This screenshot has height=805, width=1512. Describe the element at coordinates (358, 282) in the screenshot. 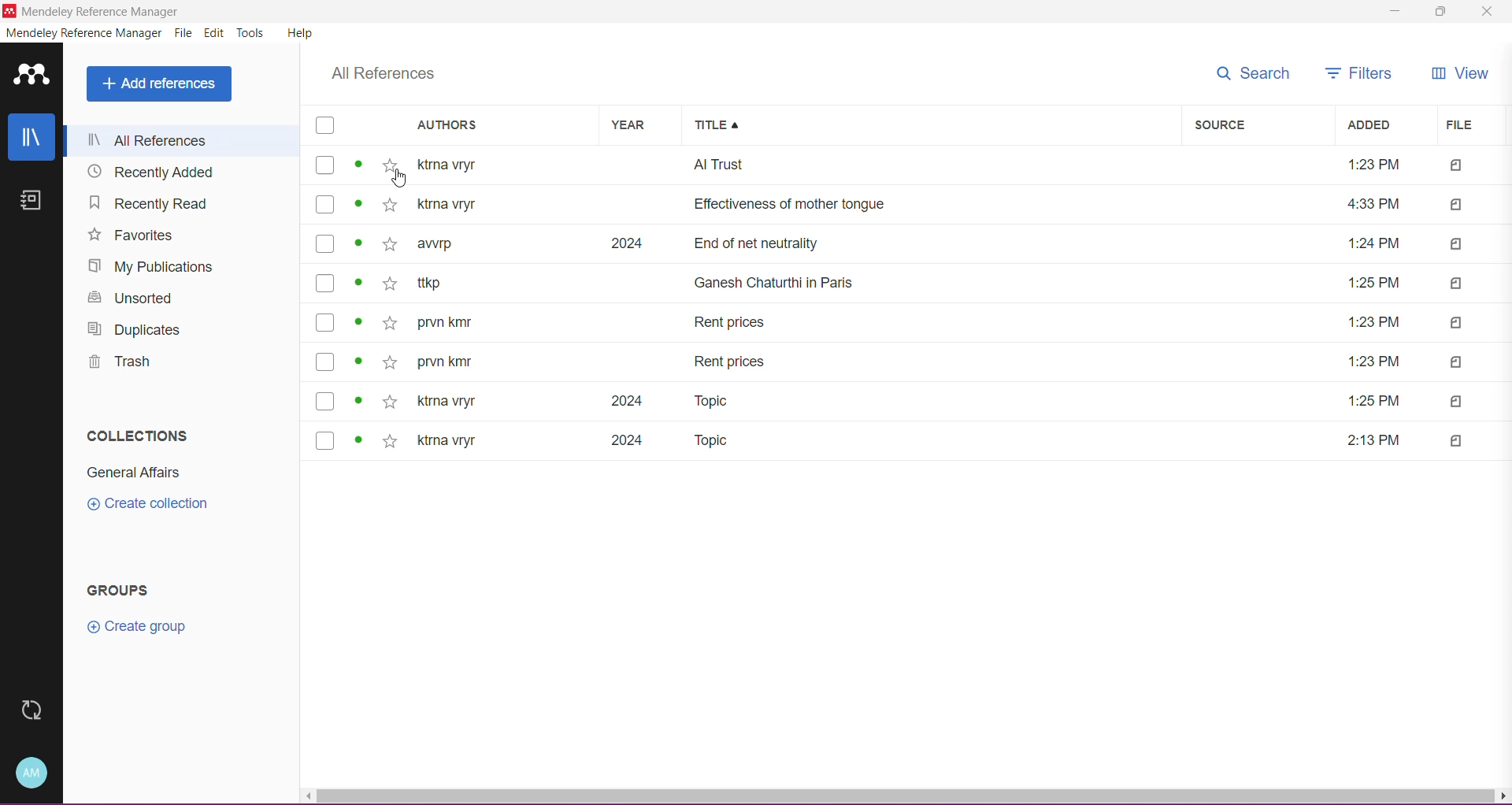

I see `Click to see more details` at that location.